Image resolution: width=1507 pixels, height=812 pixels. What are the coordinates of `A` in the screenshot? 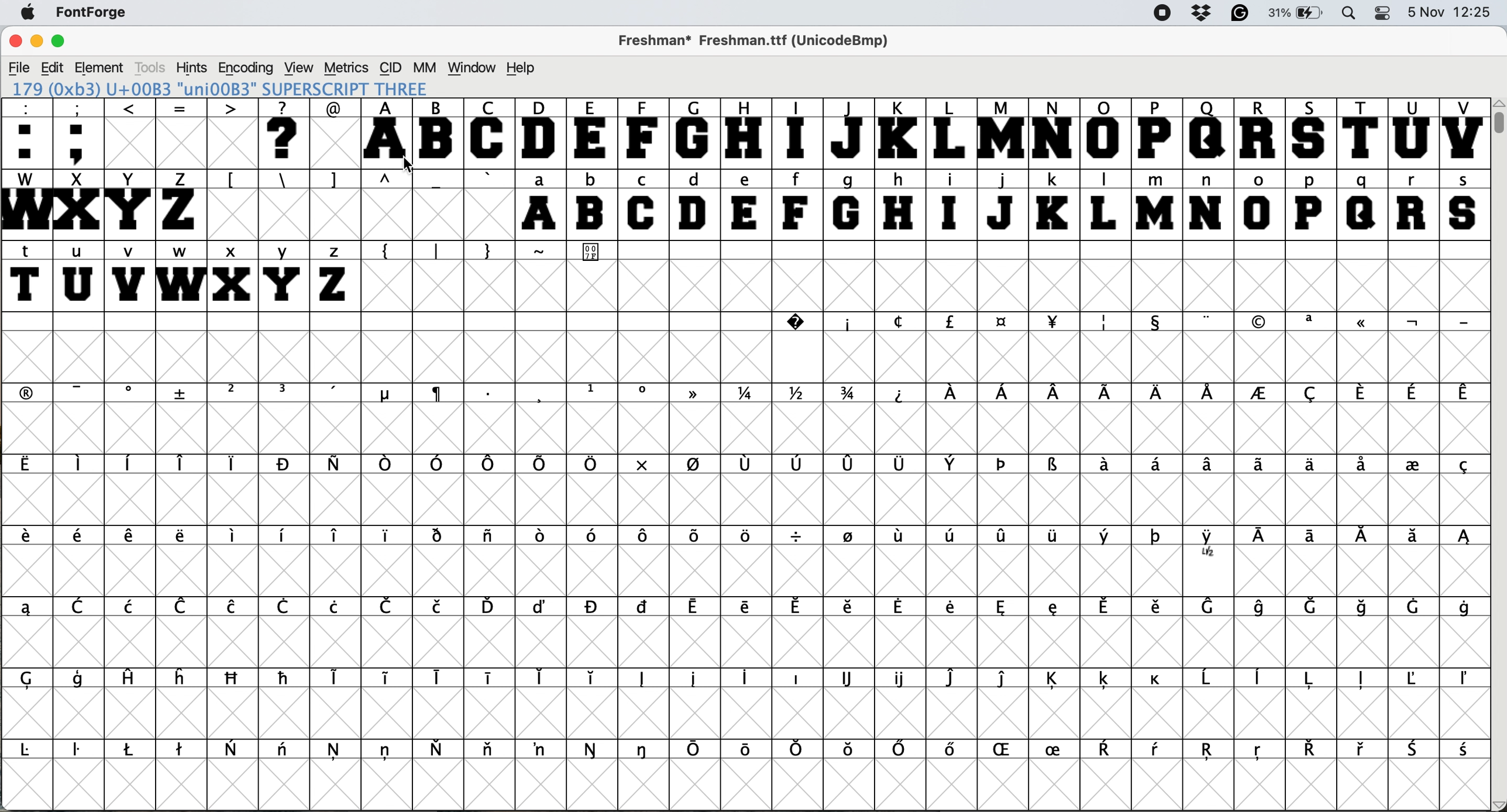 It's located at (389, 133).